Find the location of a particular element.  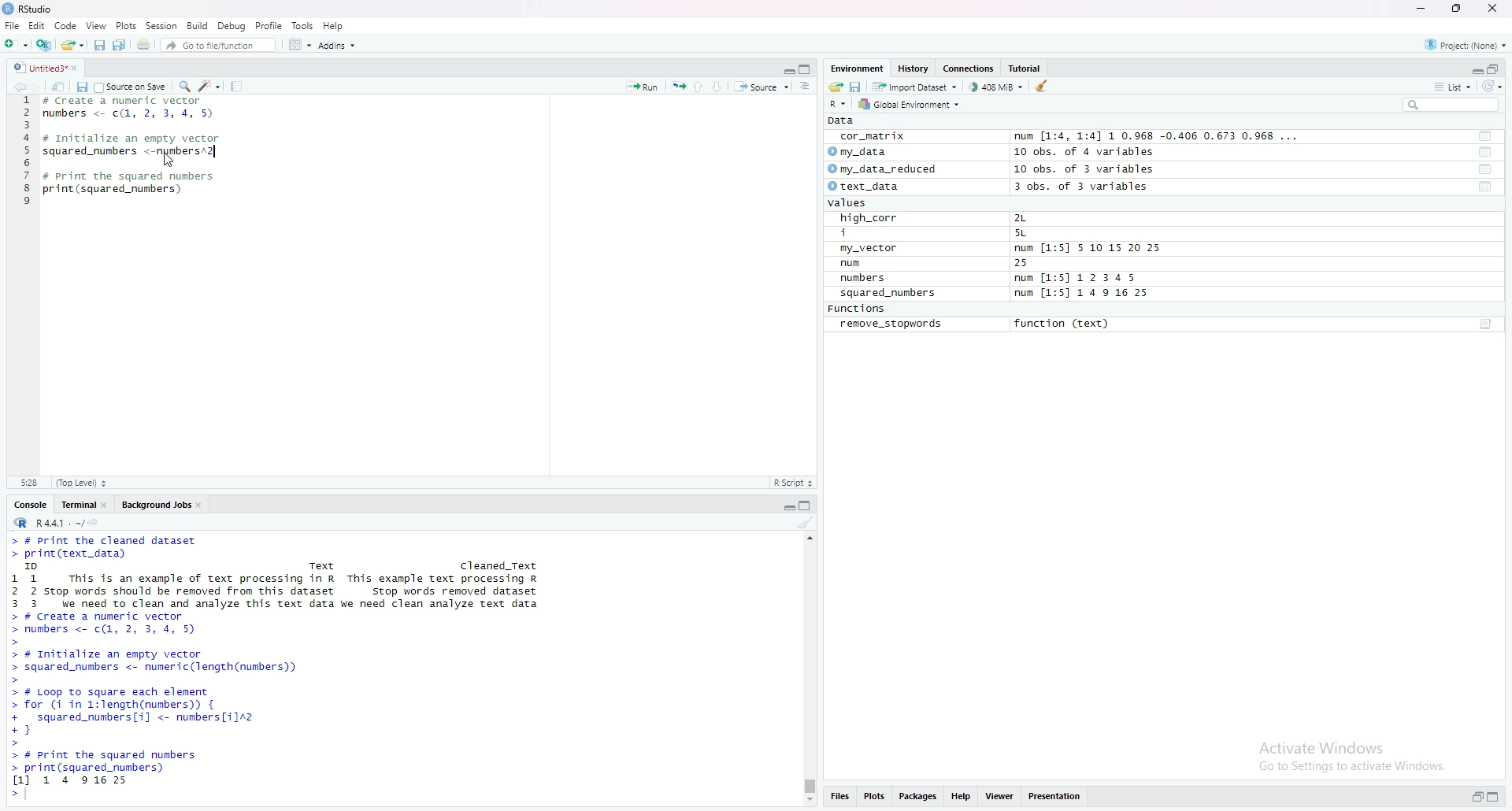

R 4.4.1 ~/ is located at coordinates (46, 521).